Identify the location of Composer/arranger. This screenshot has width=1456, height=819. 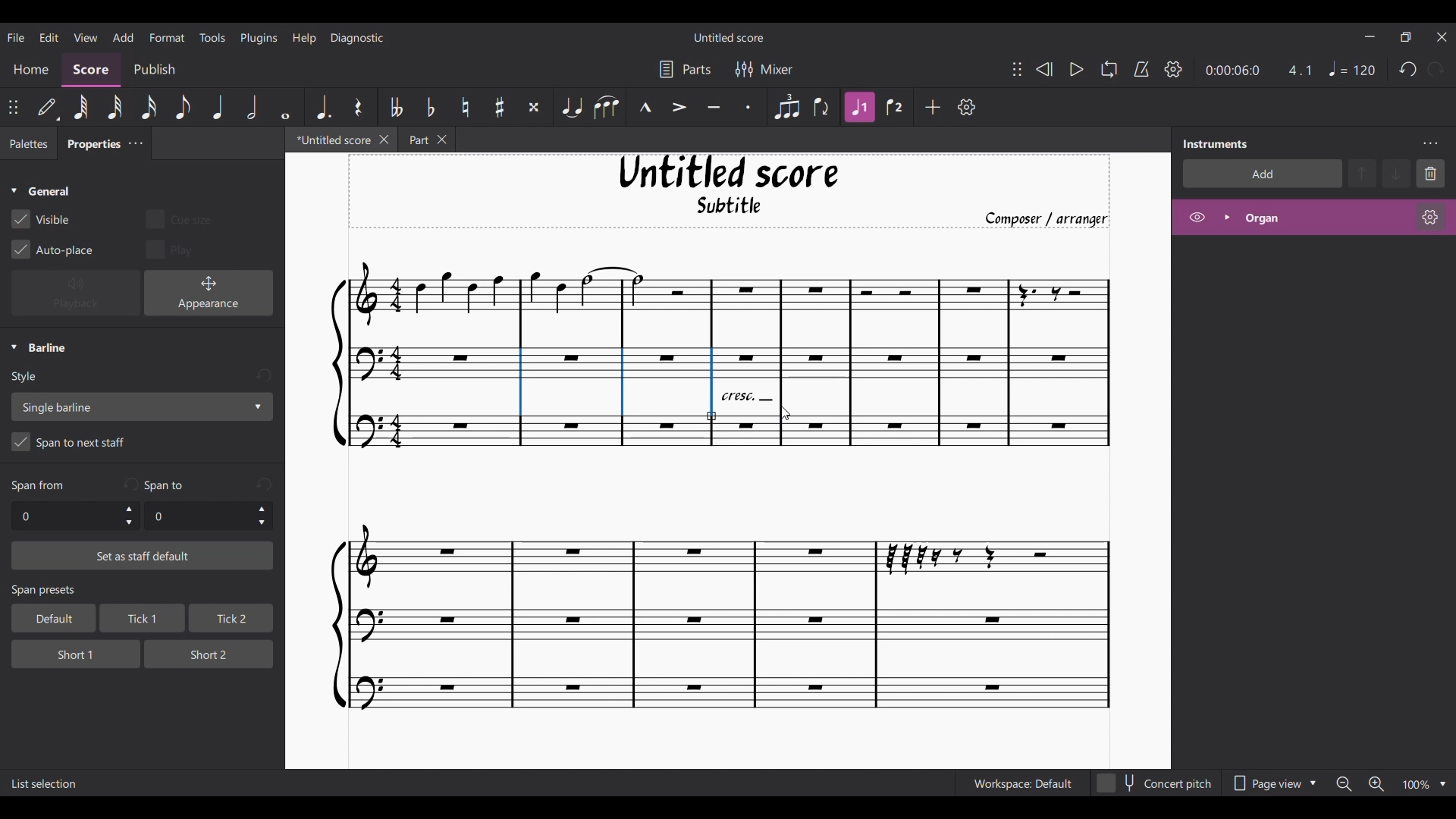
(1053, 219).